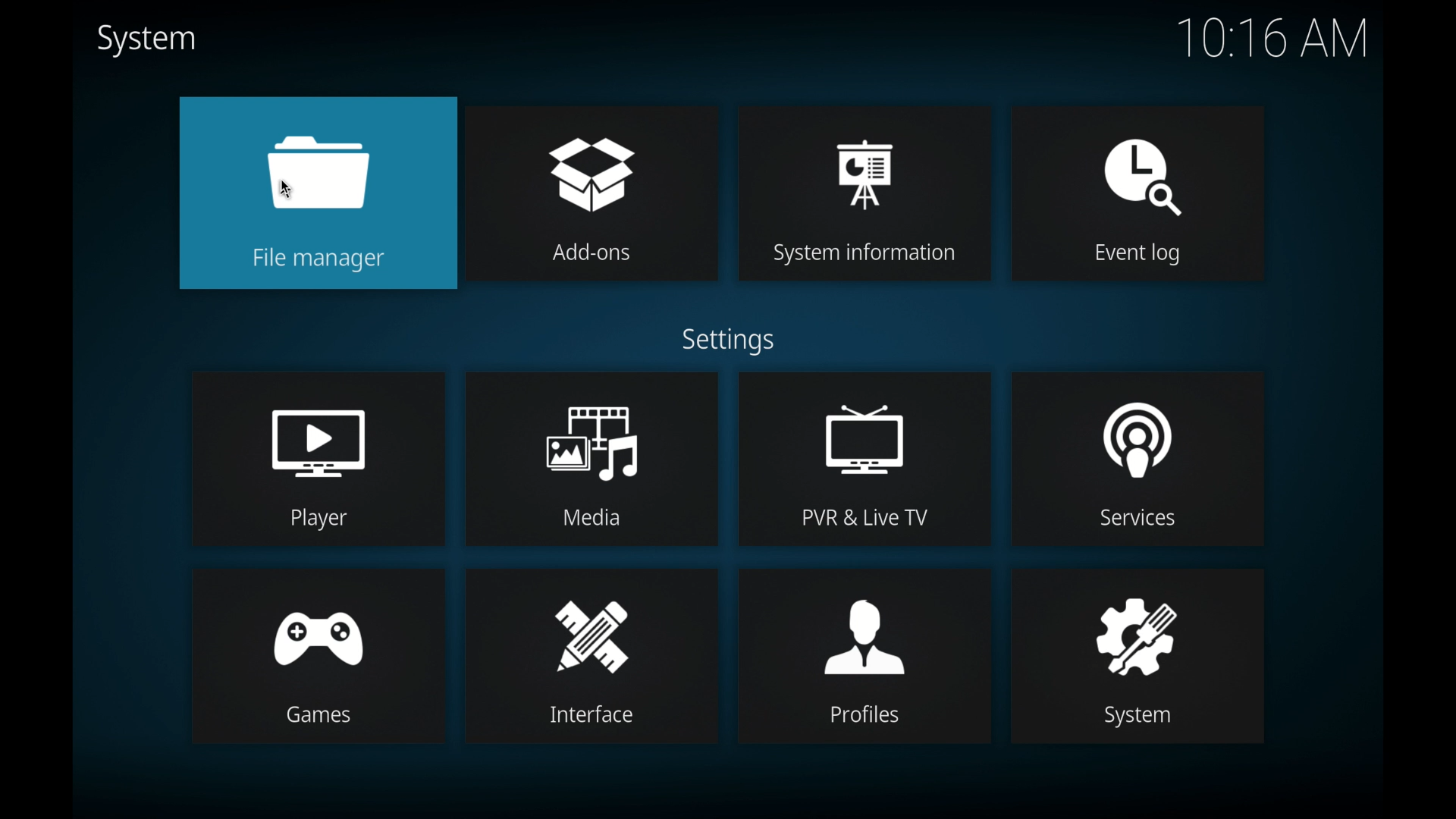 The height and width of the screenshot is (819, 1456). What do you see at coordinates (1141, 194) in the screenshot?
I see `event log` at bounding box center [1141, 194].